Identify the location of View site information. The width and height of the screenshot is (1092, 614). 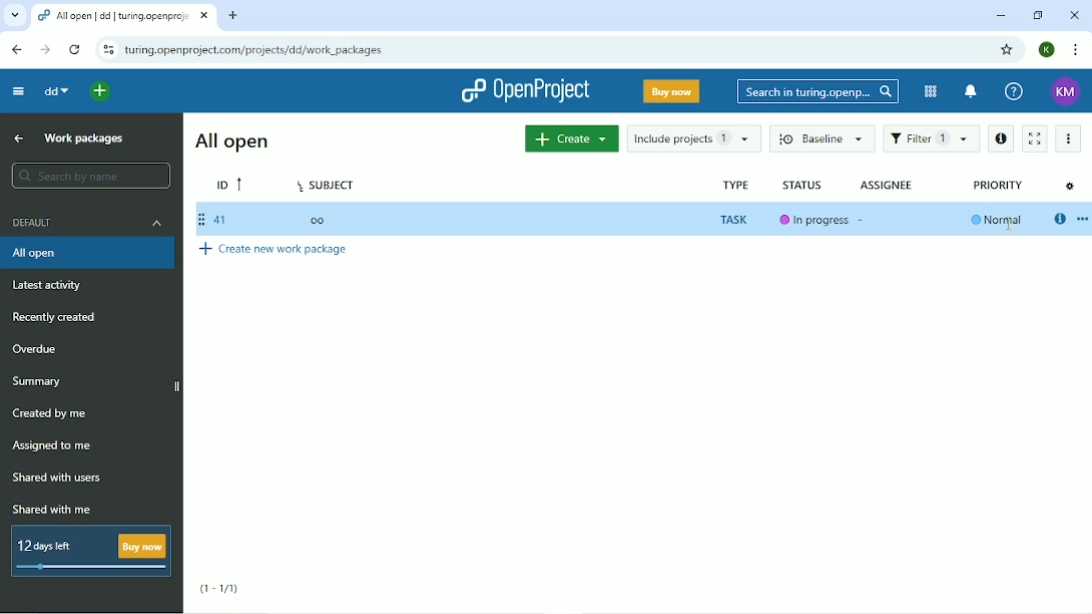
(106, 50).